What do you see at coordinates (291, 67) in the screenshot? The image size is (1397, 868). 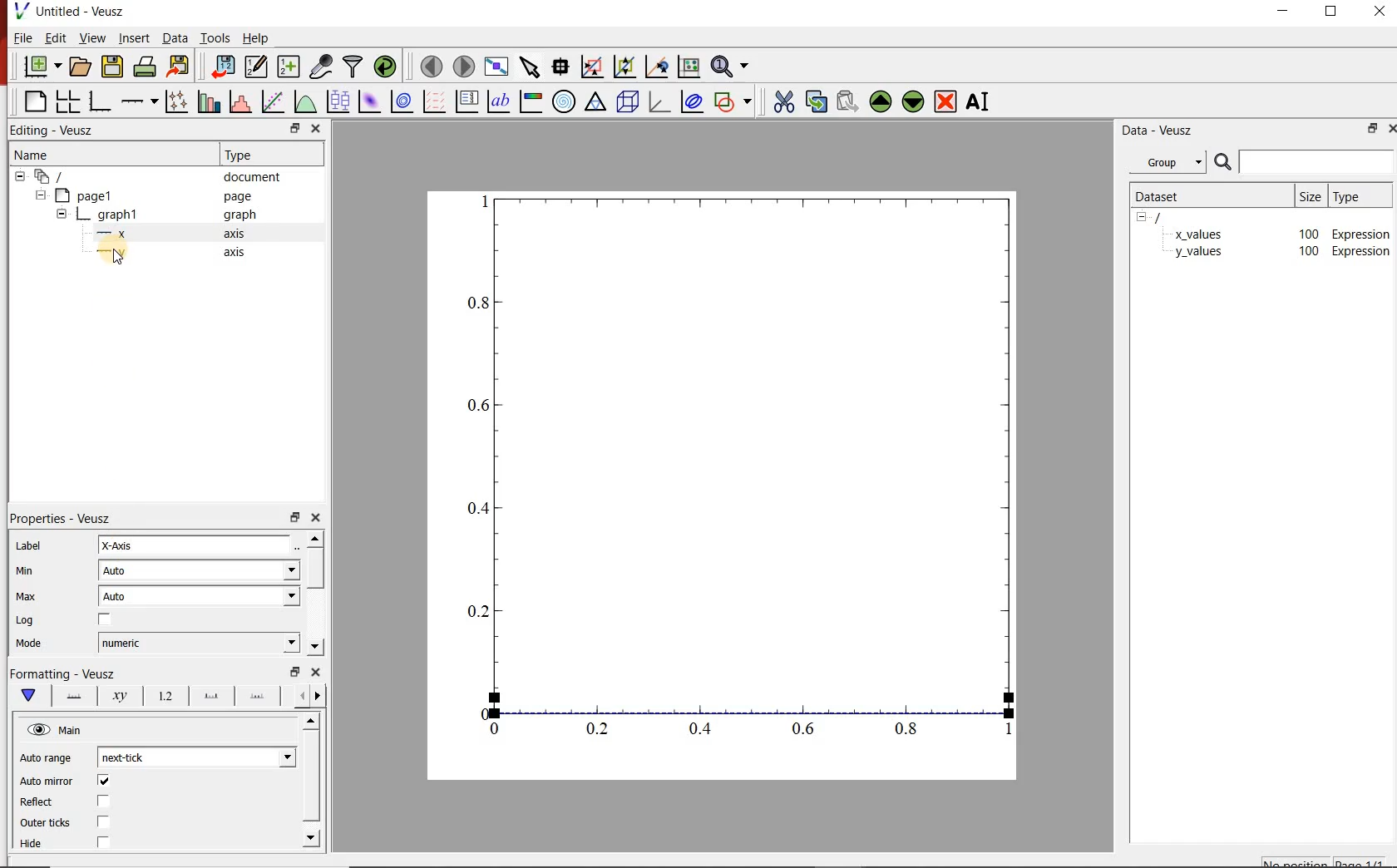 I see `create new datasets using ranges, parametrically or as functions of existing datasets` at bounding box center [291, 67].